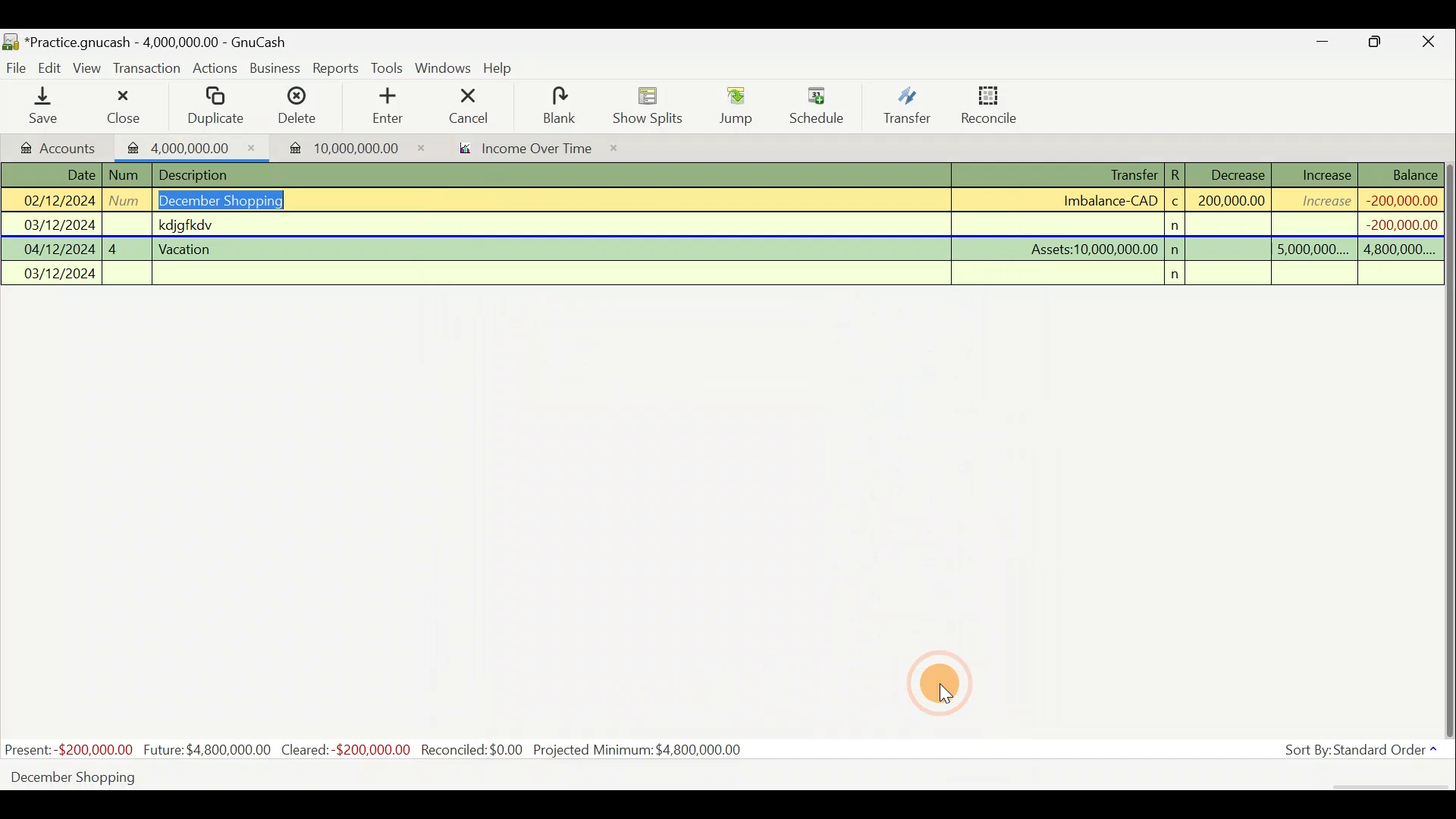  I want to click on Statistics, so click(376, 750).